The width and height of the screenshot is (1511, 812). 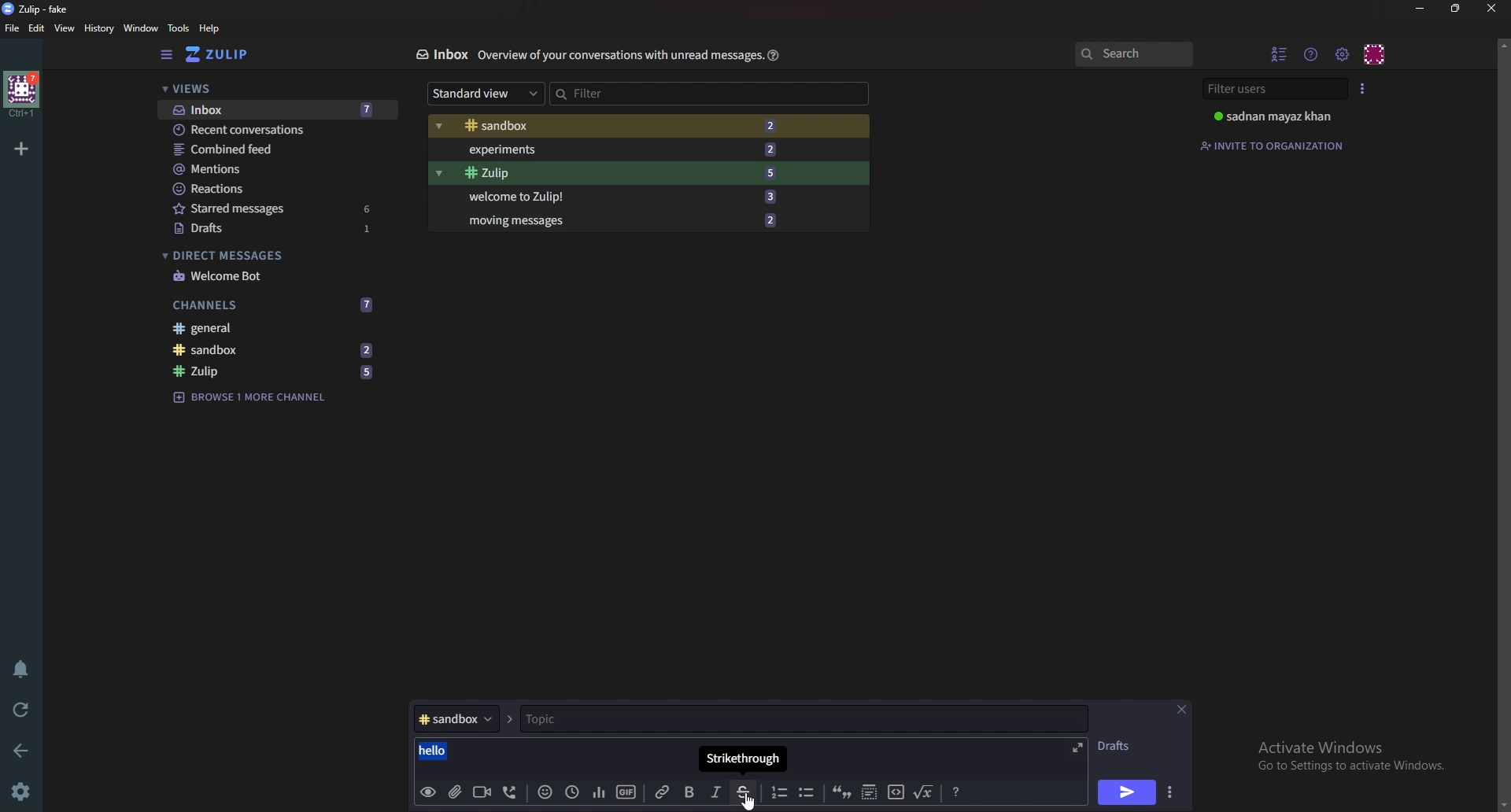 What do you see at coordinates (1343, 54) in the screenshot?
I see `Main menu` at bounding box center [1343, 54].